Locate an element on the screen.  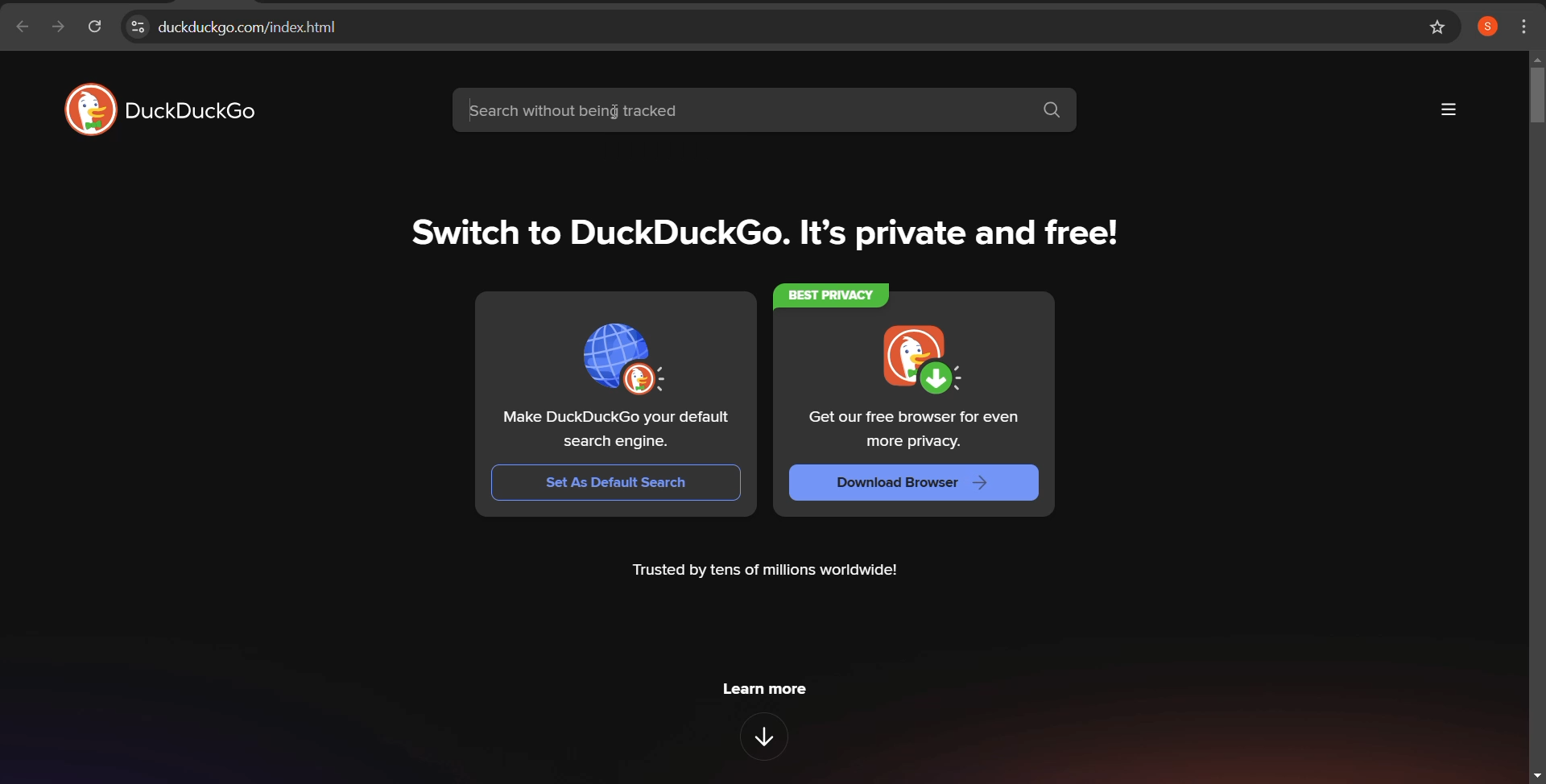
download browser is located at coordinates (920, 482).